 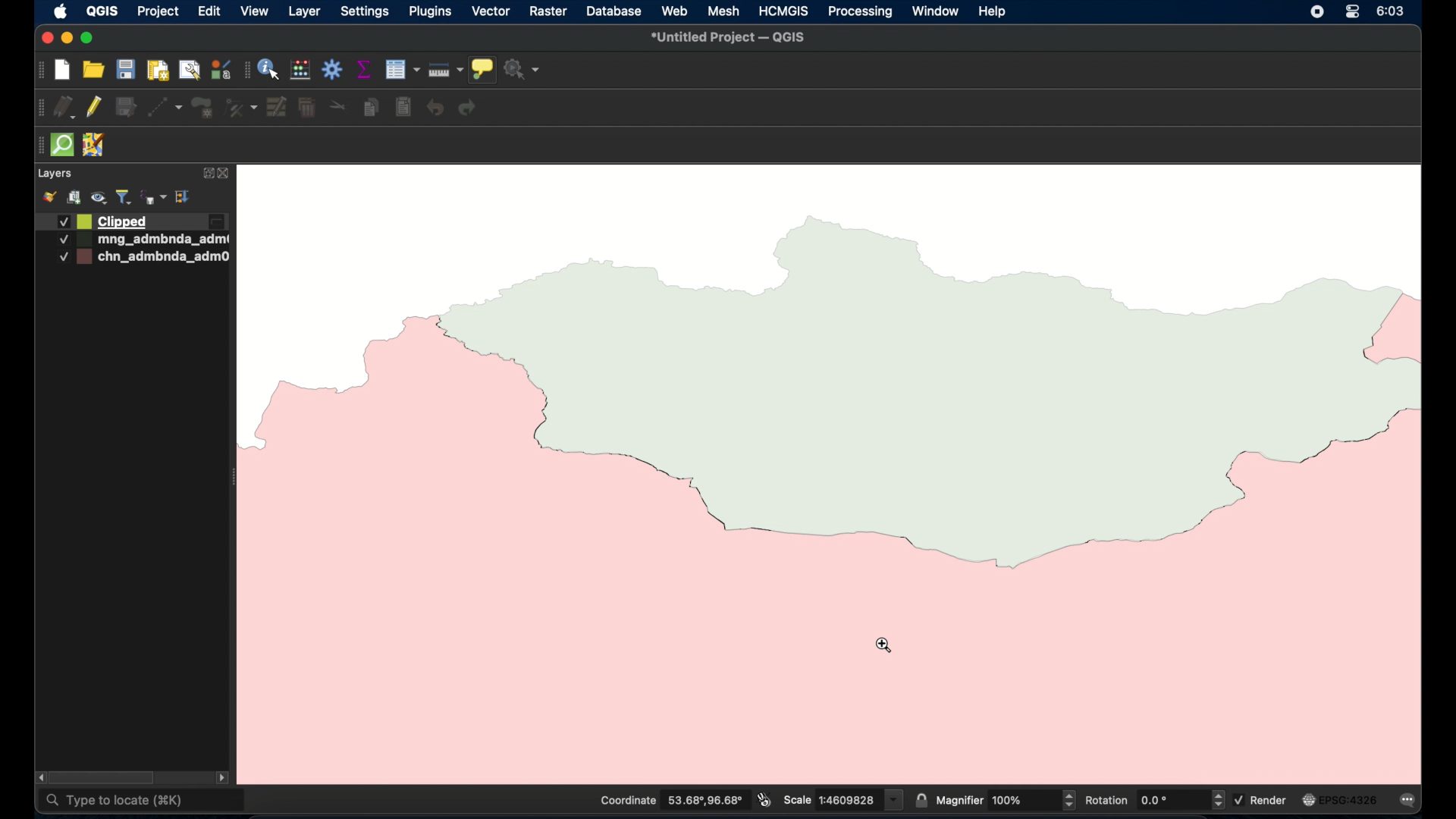 I want to click on QGIS, so click(x=102, y=11).